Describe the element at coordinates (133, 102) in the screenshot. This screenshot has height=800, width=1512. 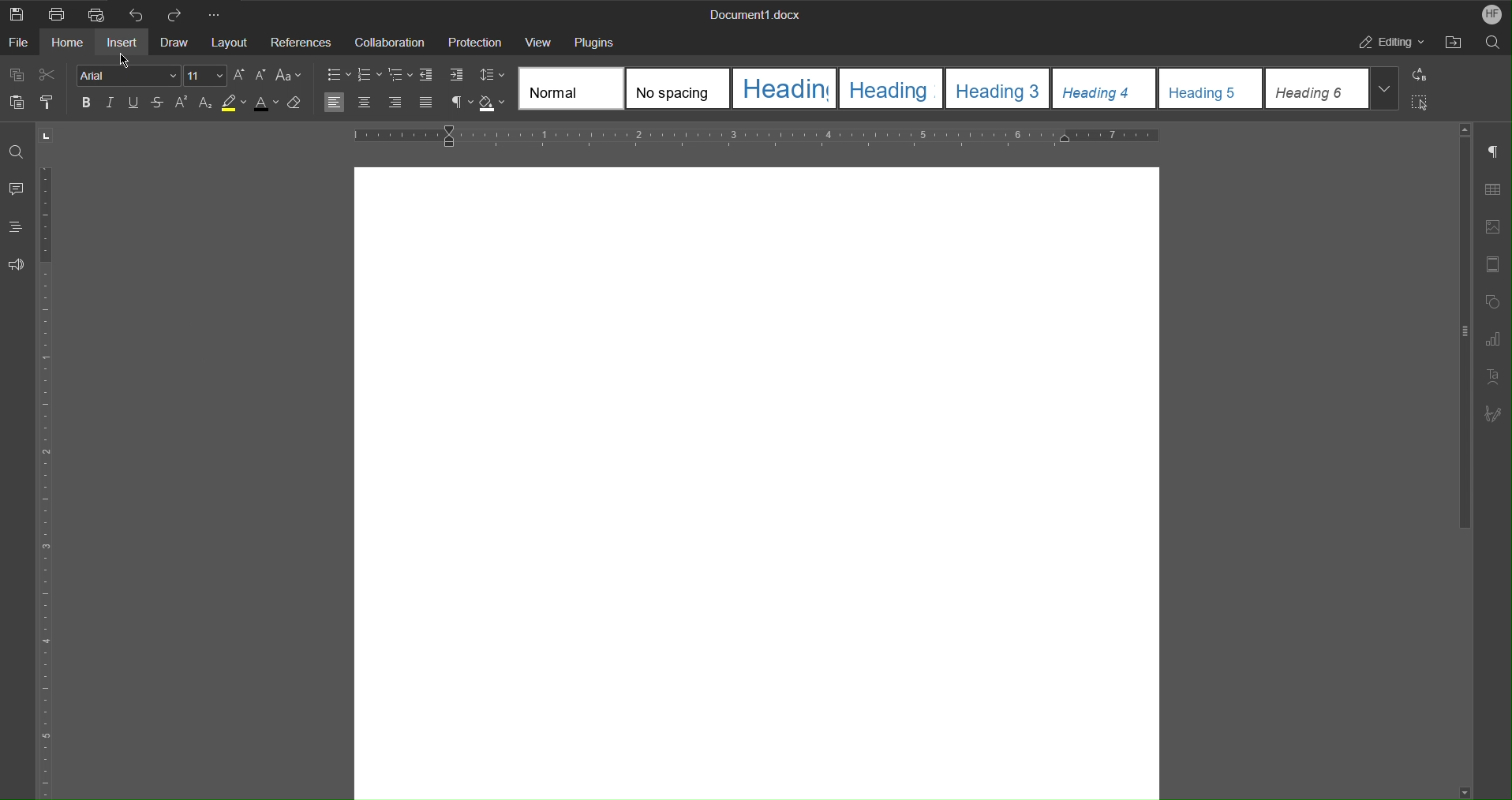
I see `Underline` at that location.